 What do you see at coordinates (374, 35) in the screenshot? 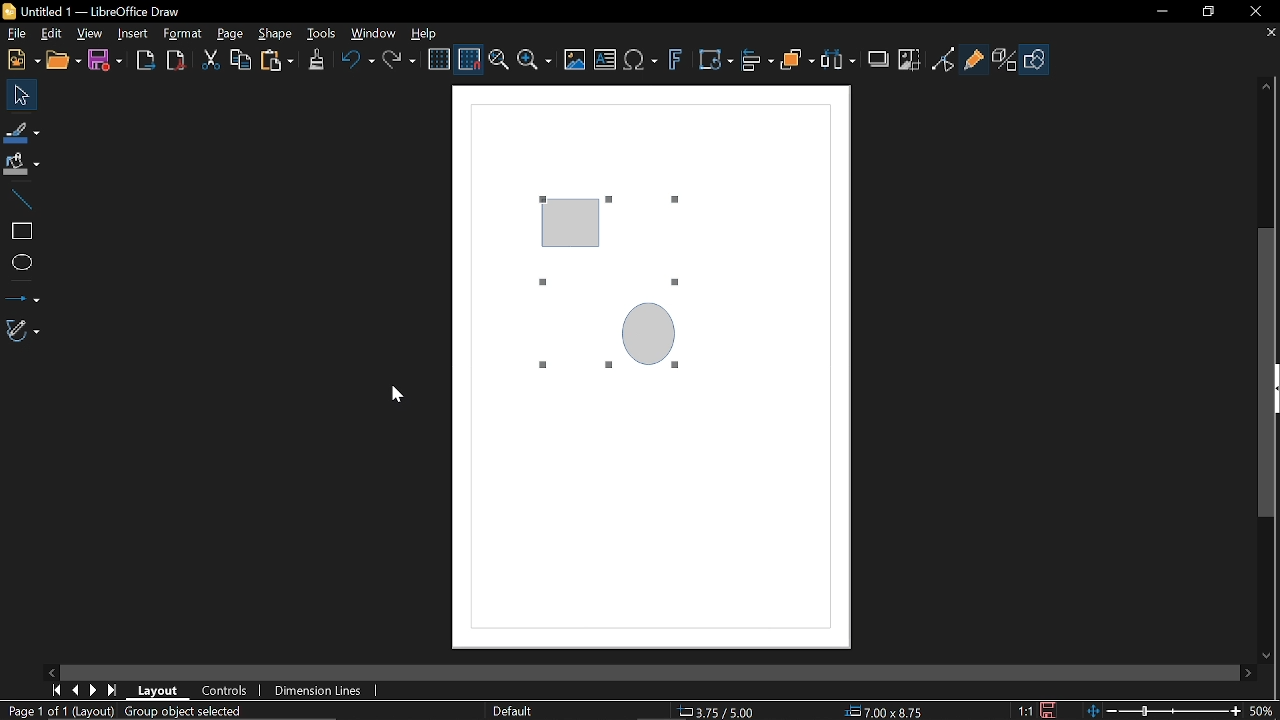
I see `Window` at bounding box center [374, 35].